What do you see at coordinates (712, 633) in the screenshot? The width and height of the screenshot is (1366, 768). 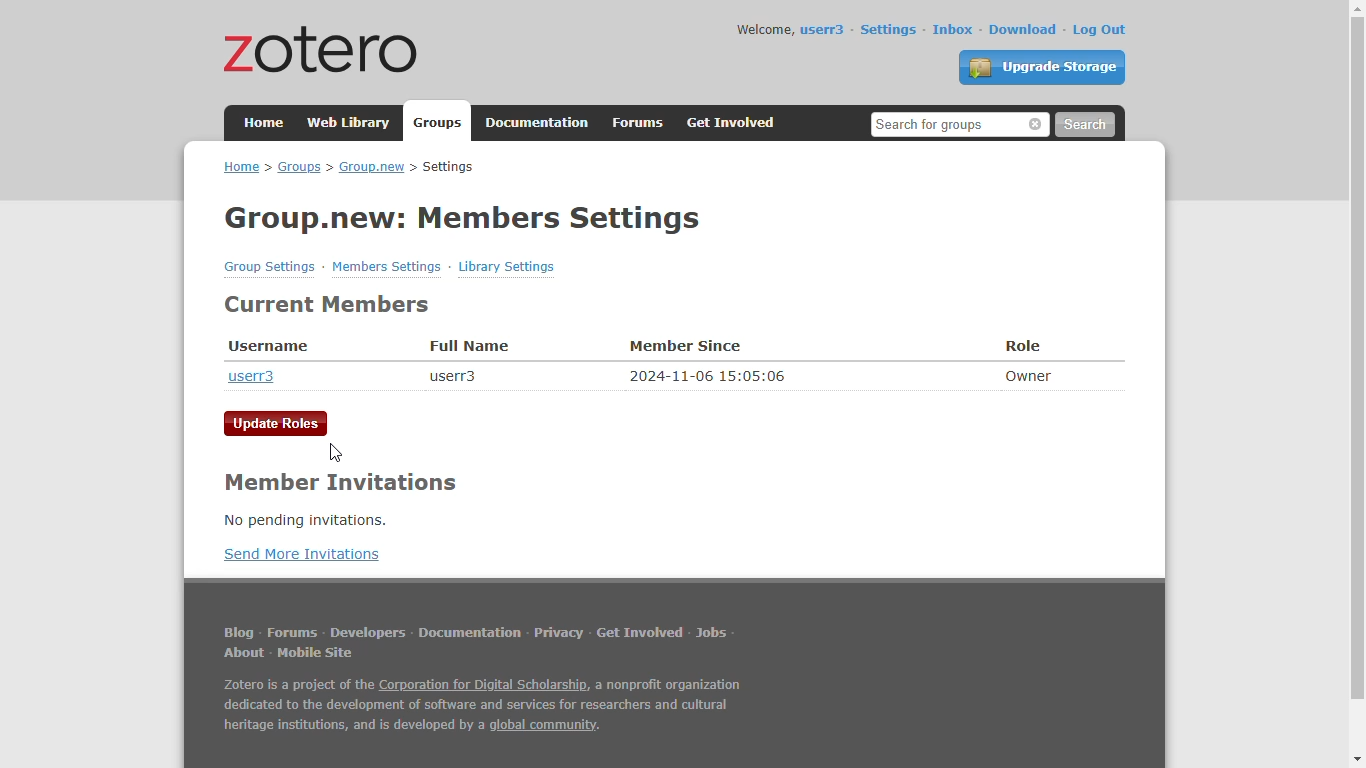 I see `jobs` at bounding box center [712, 633].